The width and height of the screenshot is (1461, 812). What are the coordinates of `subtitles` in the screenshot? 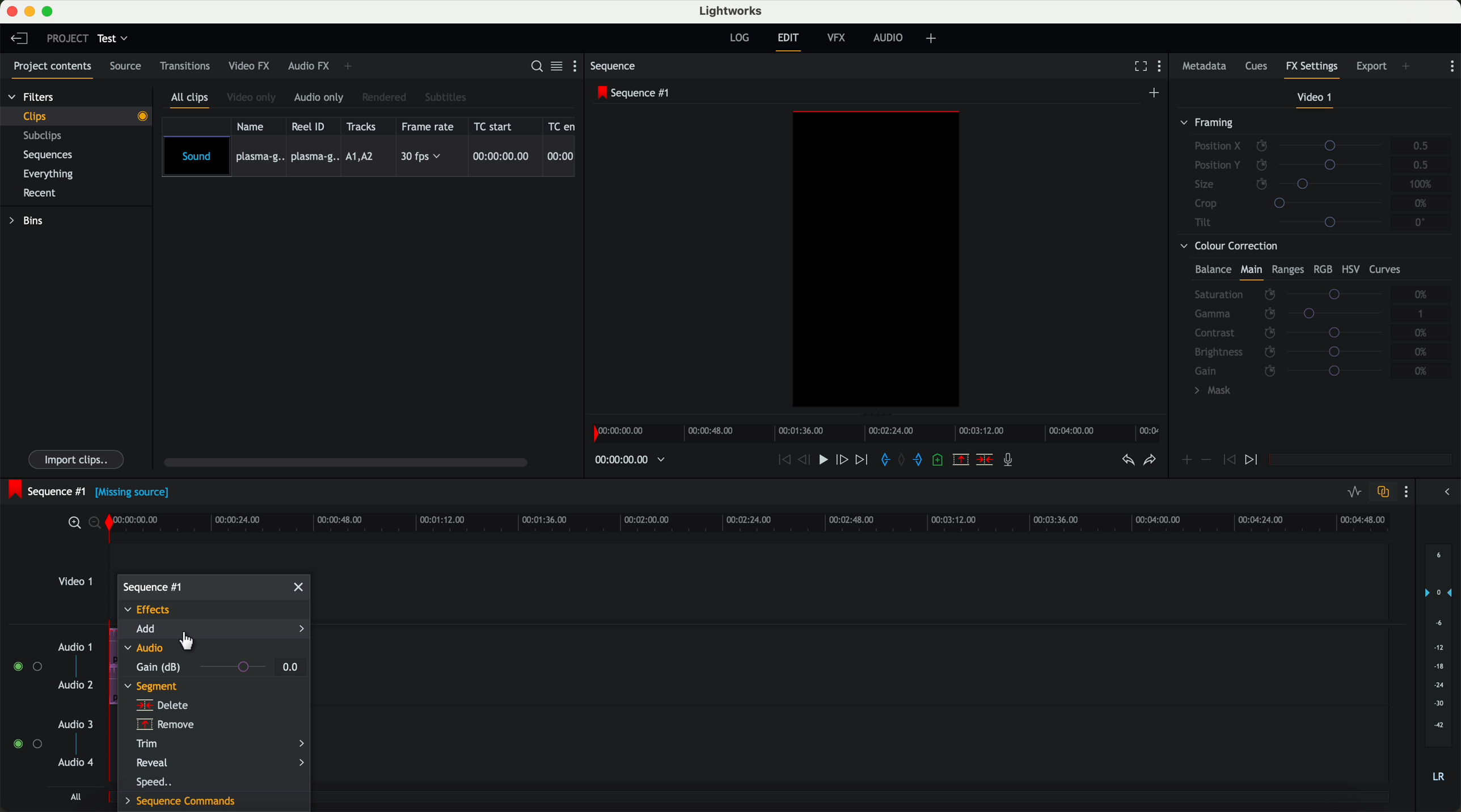 It's located at (447, 97).